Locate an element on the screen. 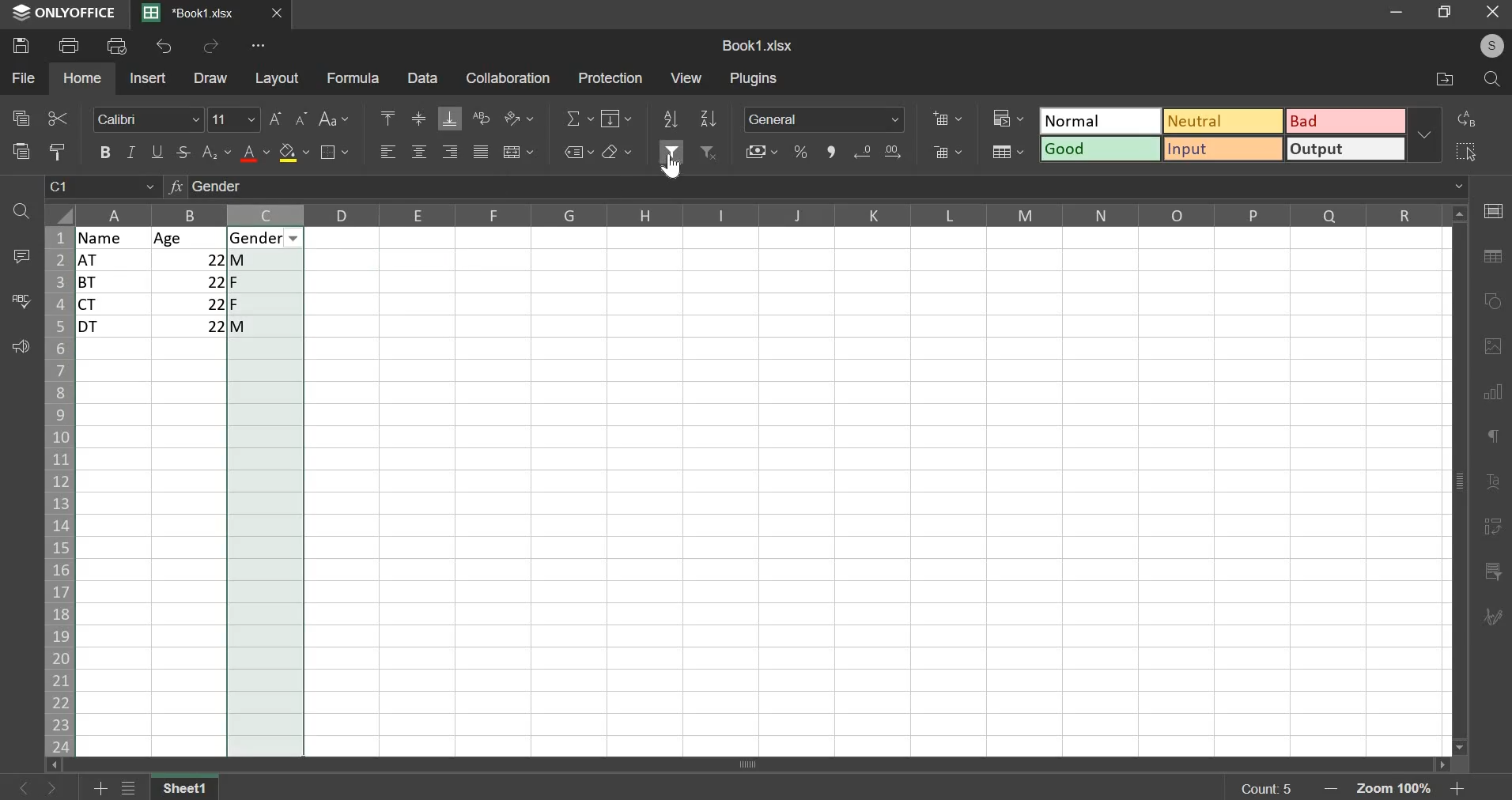  find is located at coordinates (23, 212).